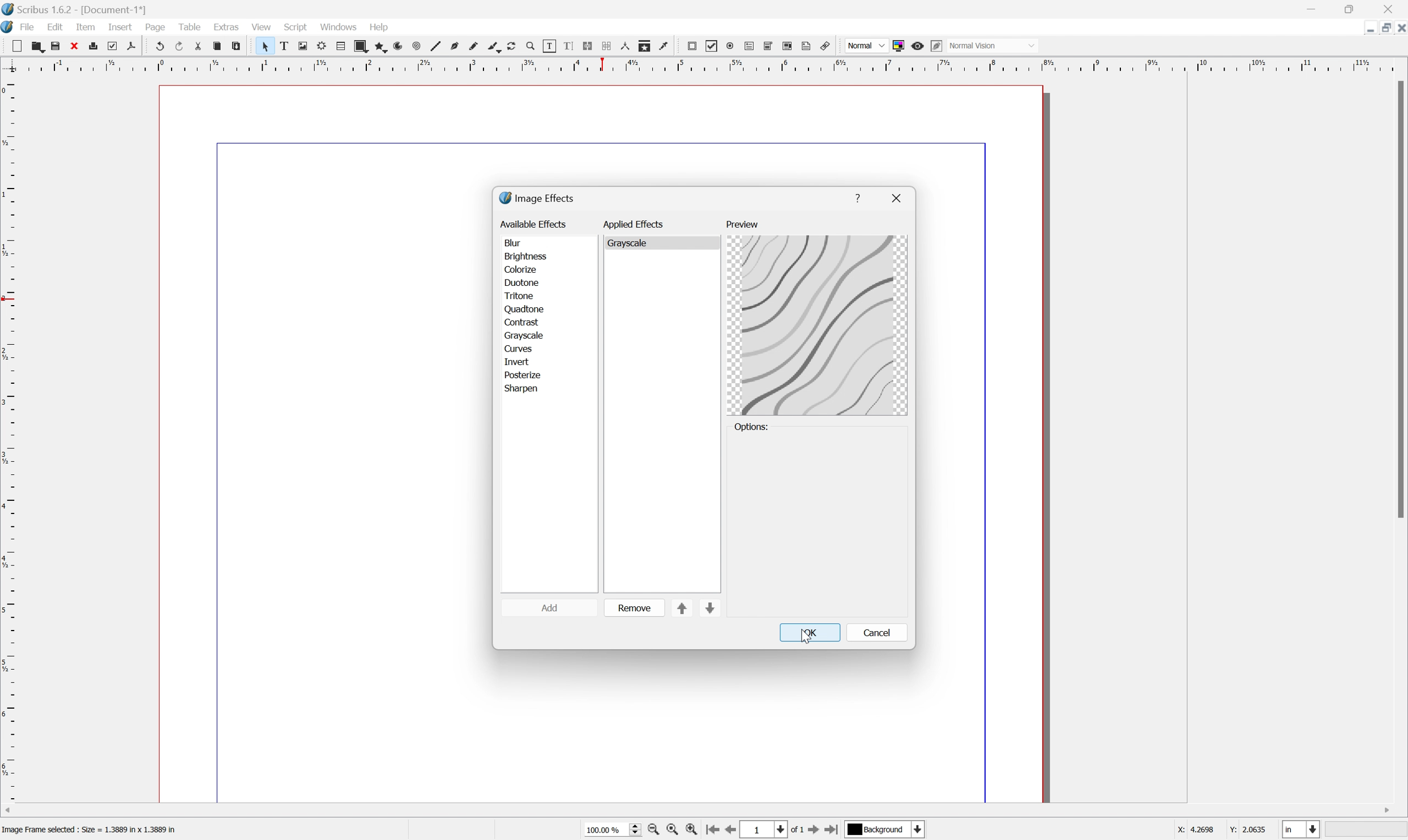 This screenshot has height=840, width=1408. I want to click on Go to the last page, so click(831, 831).